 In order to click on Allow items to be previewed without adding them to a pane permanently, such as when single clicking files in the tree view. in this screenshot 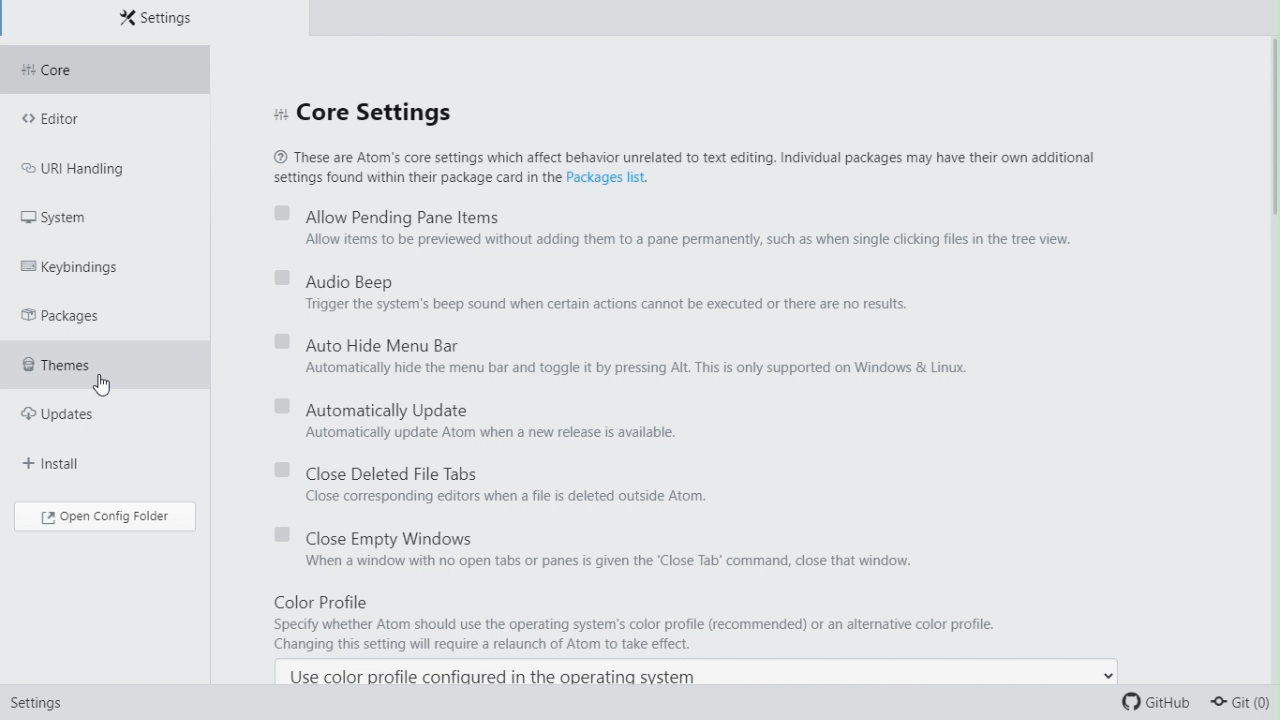, I will do `click(685, 240)`.